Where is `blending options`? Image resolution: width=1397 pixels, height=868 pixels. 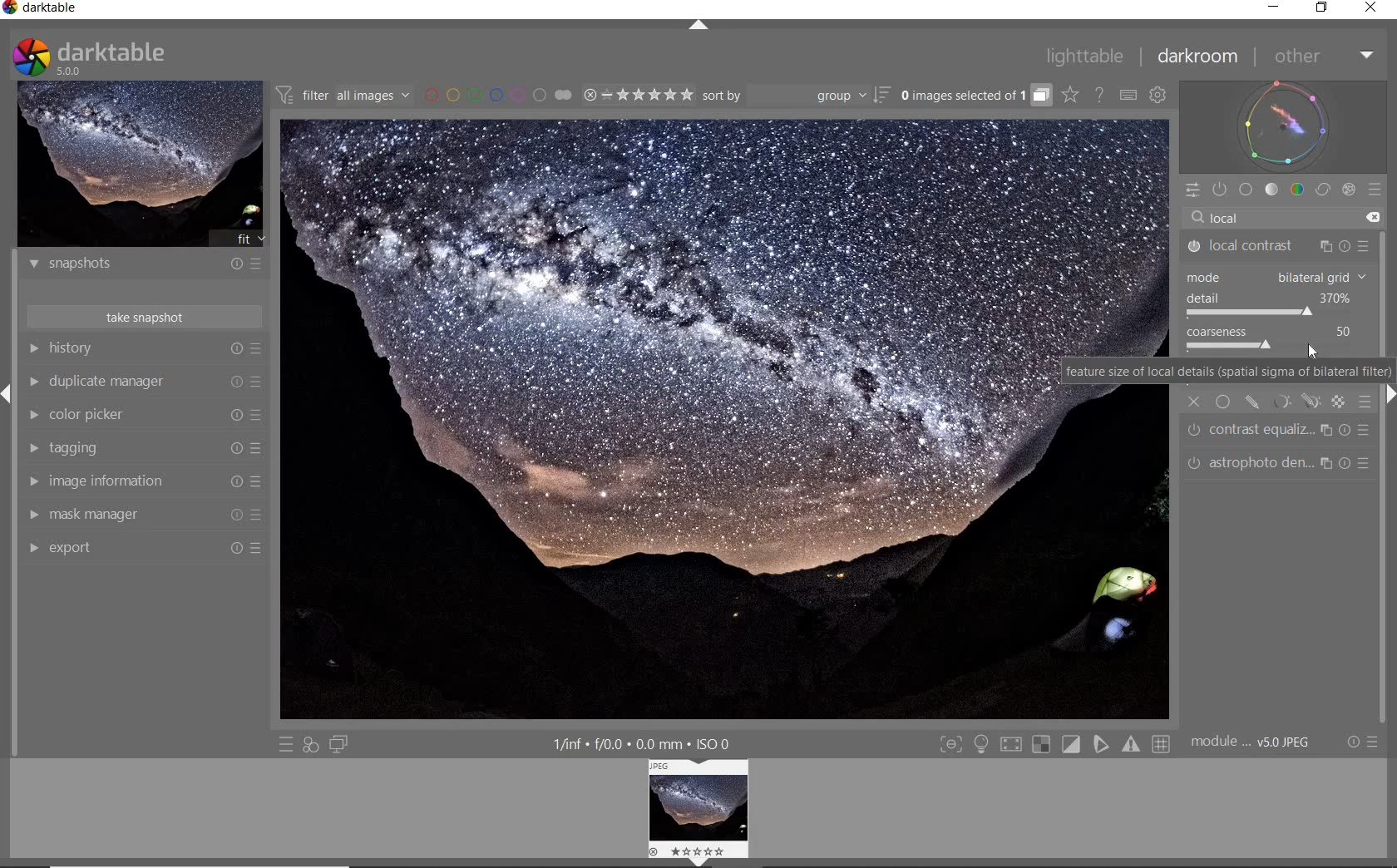 blending options is located at coordinates (1366, 402).